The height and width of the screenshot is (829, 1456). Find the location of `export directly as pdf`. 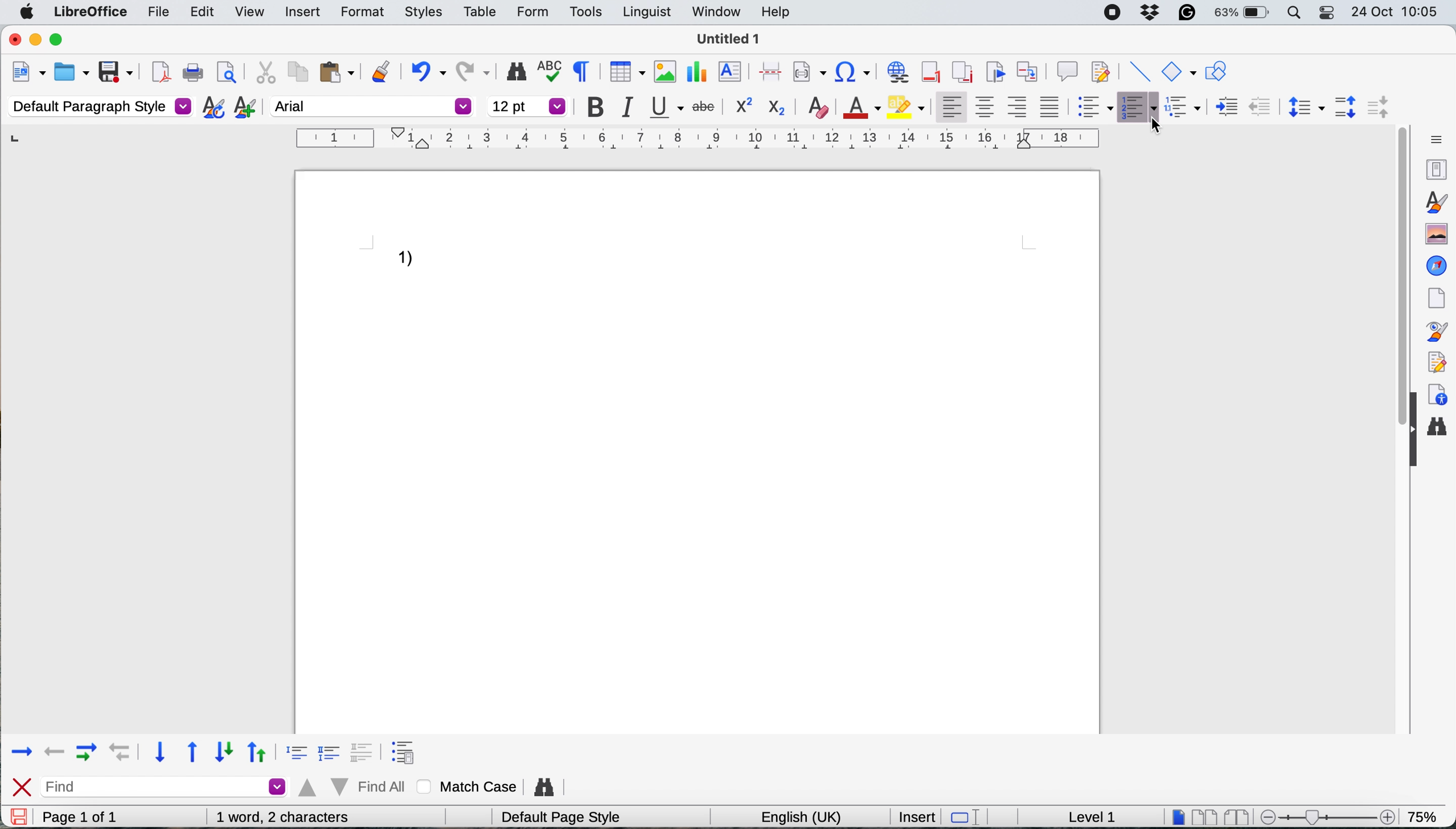

export directly as pdf is located at coordinates (159, 72).